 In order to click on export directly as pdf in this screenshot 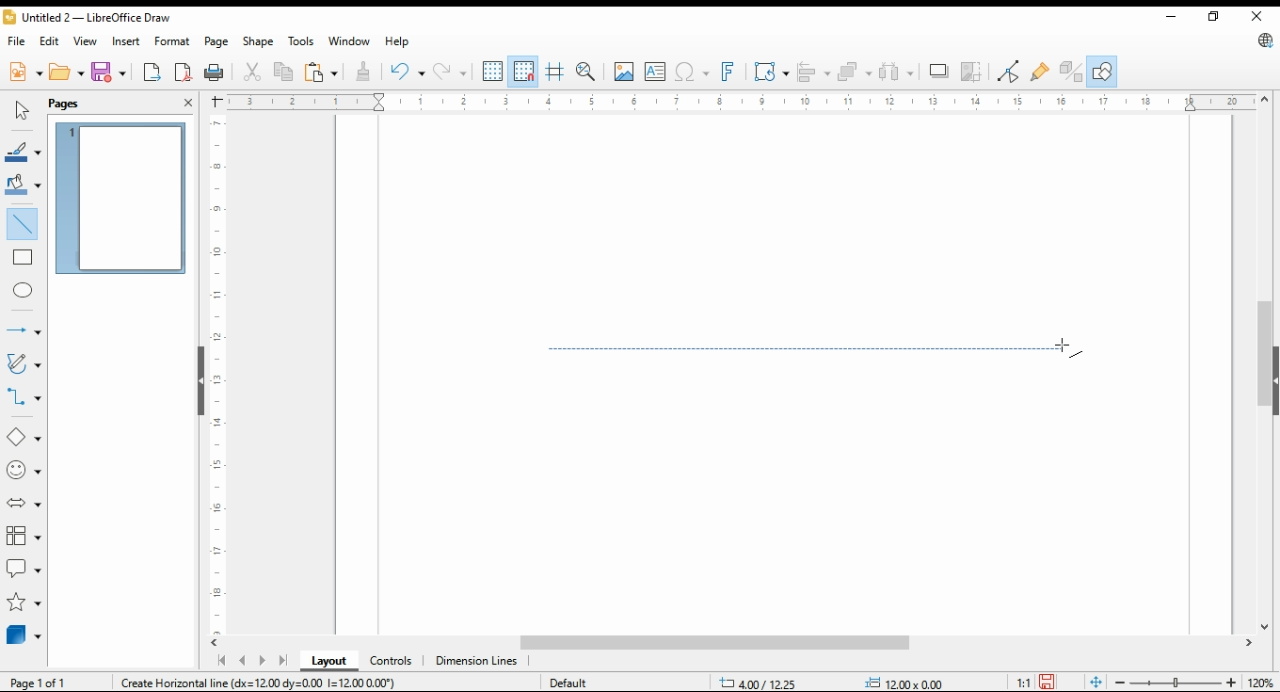, I will do `click(184, 71)`.